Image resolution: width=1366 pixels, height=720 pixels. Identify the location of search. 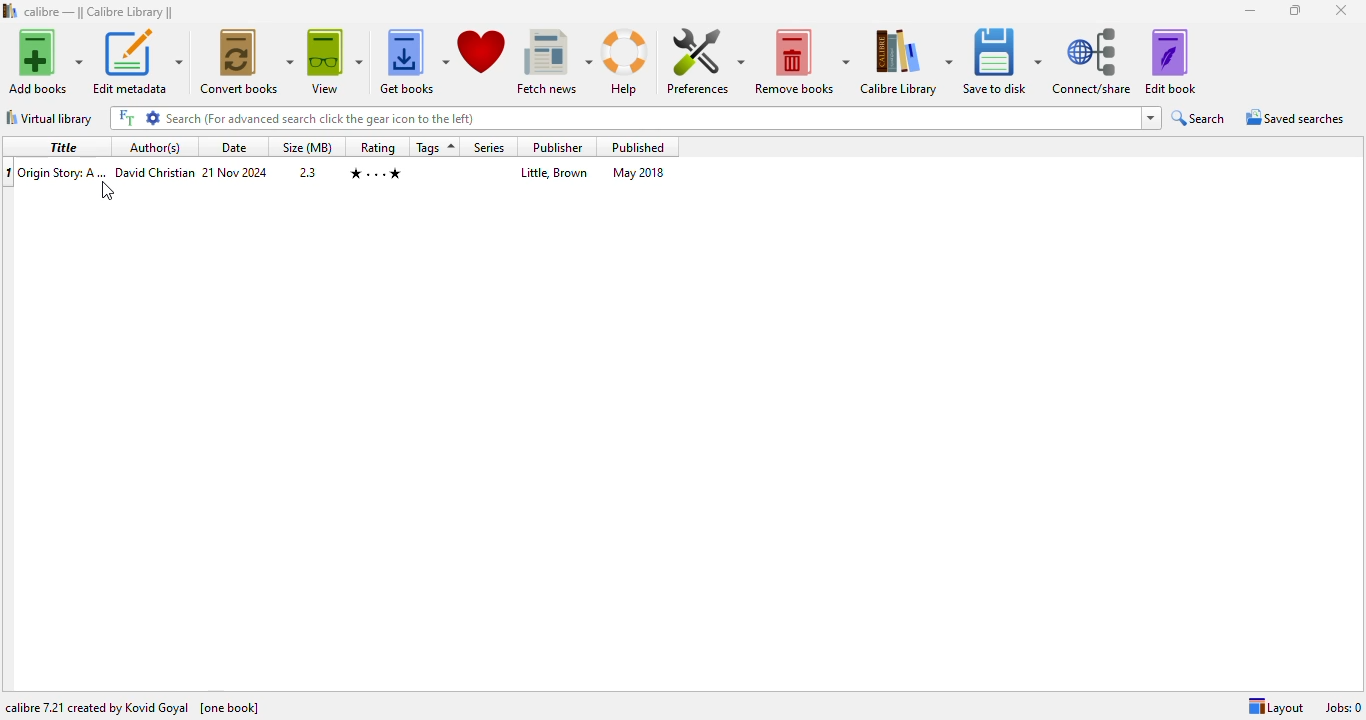
(623, 118).